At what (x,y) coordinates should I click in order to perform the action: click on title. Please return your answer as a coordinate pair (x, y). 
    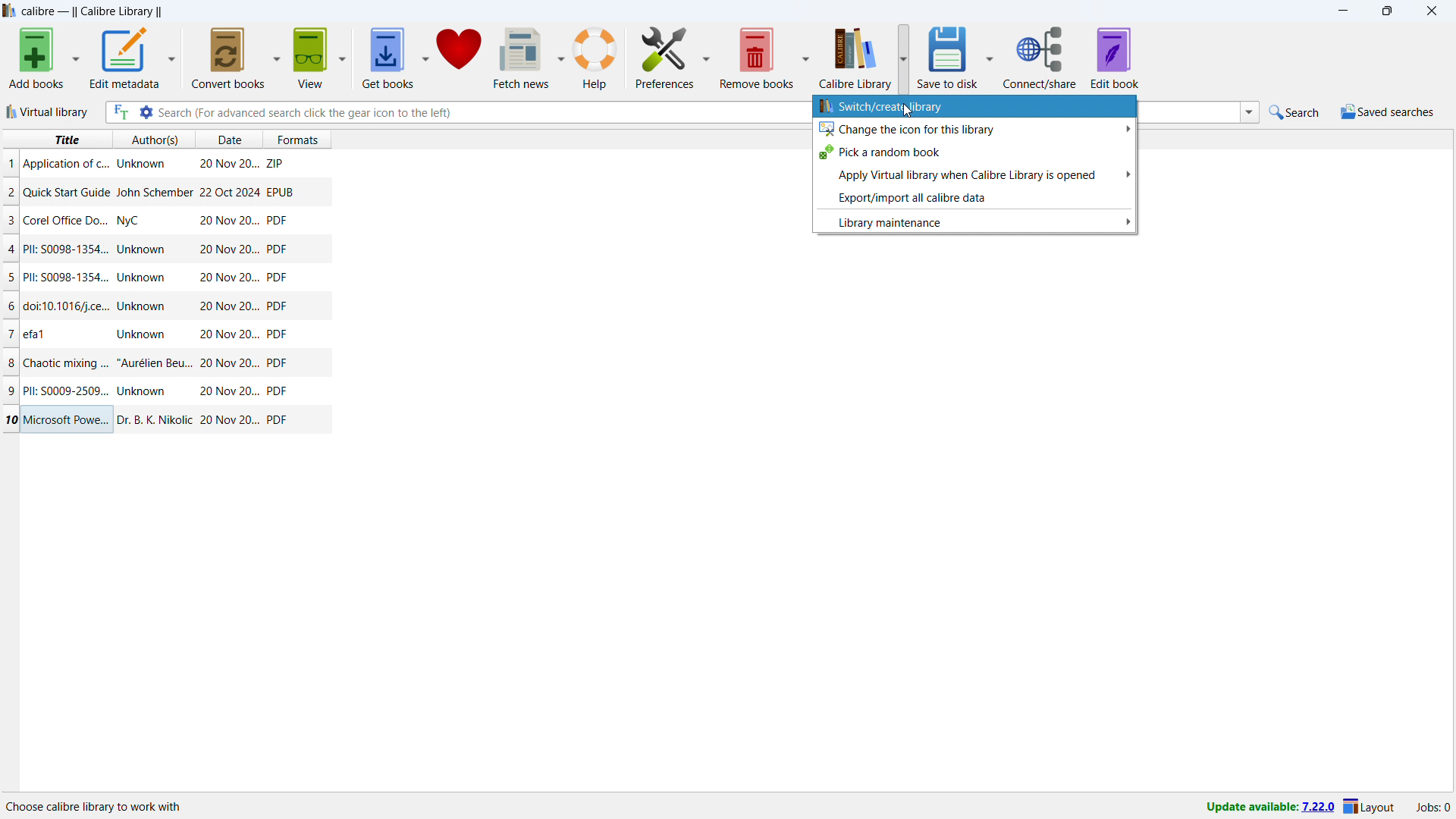
    Looking at the image, I should click on (93, 12).